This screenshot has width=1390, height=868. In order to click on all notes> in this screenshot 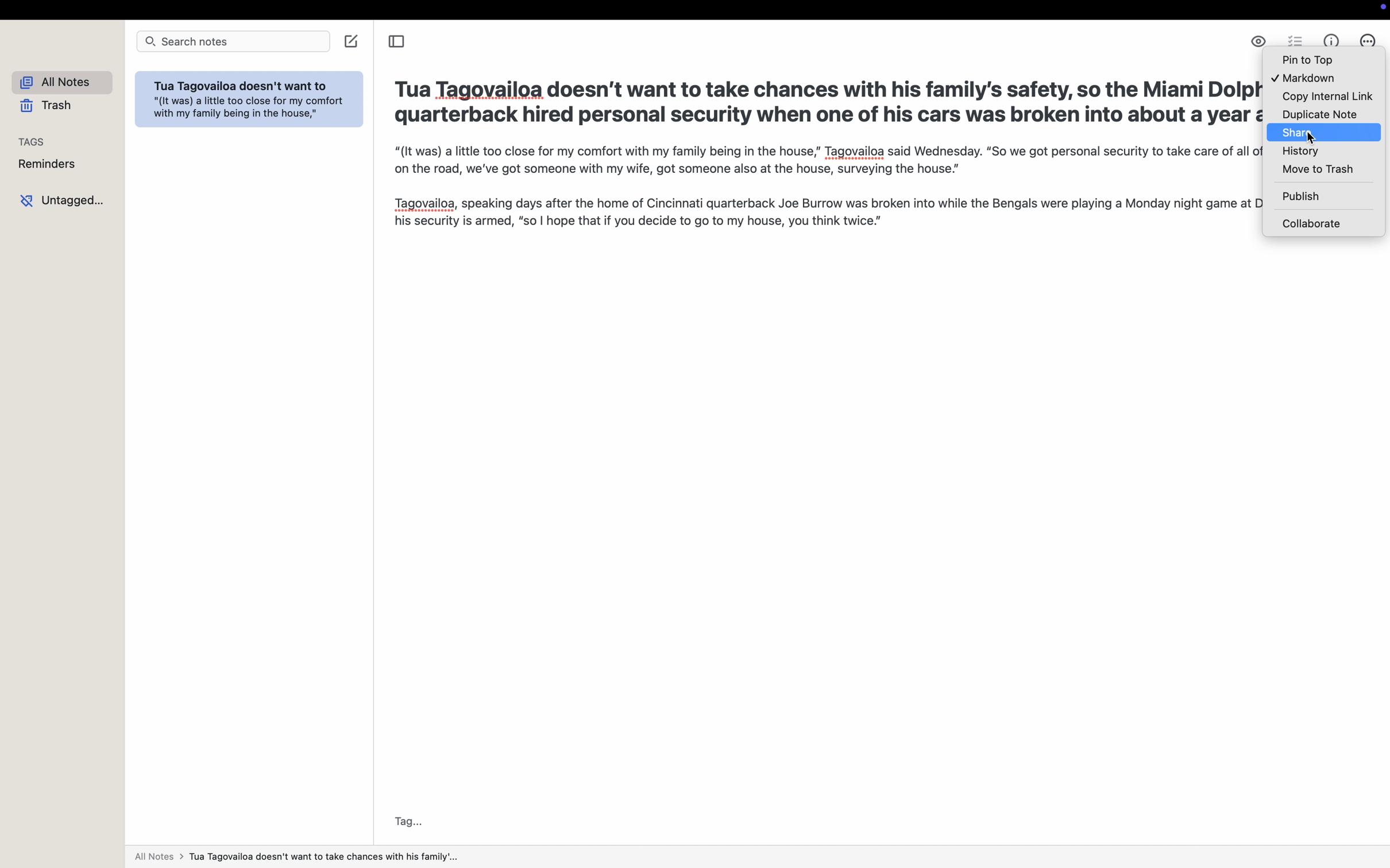, I will do `click(298, 859)`.